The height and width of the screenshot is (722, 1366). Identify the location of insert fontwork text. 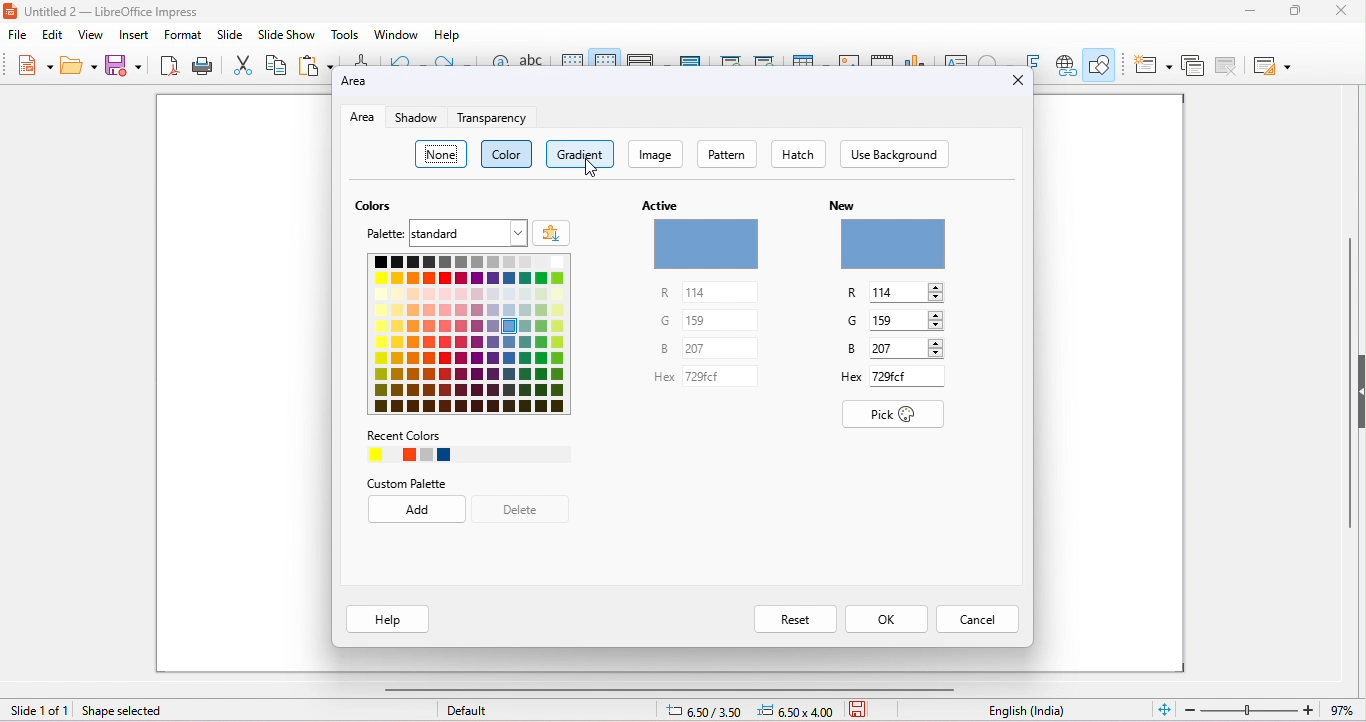
(1032, 58).